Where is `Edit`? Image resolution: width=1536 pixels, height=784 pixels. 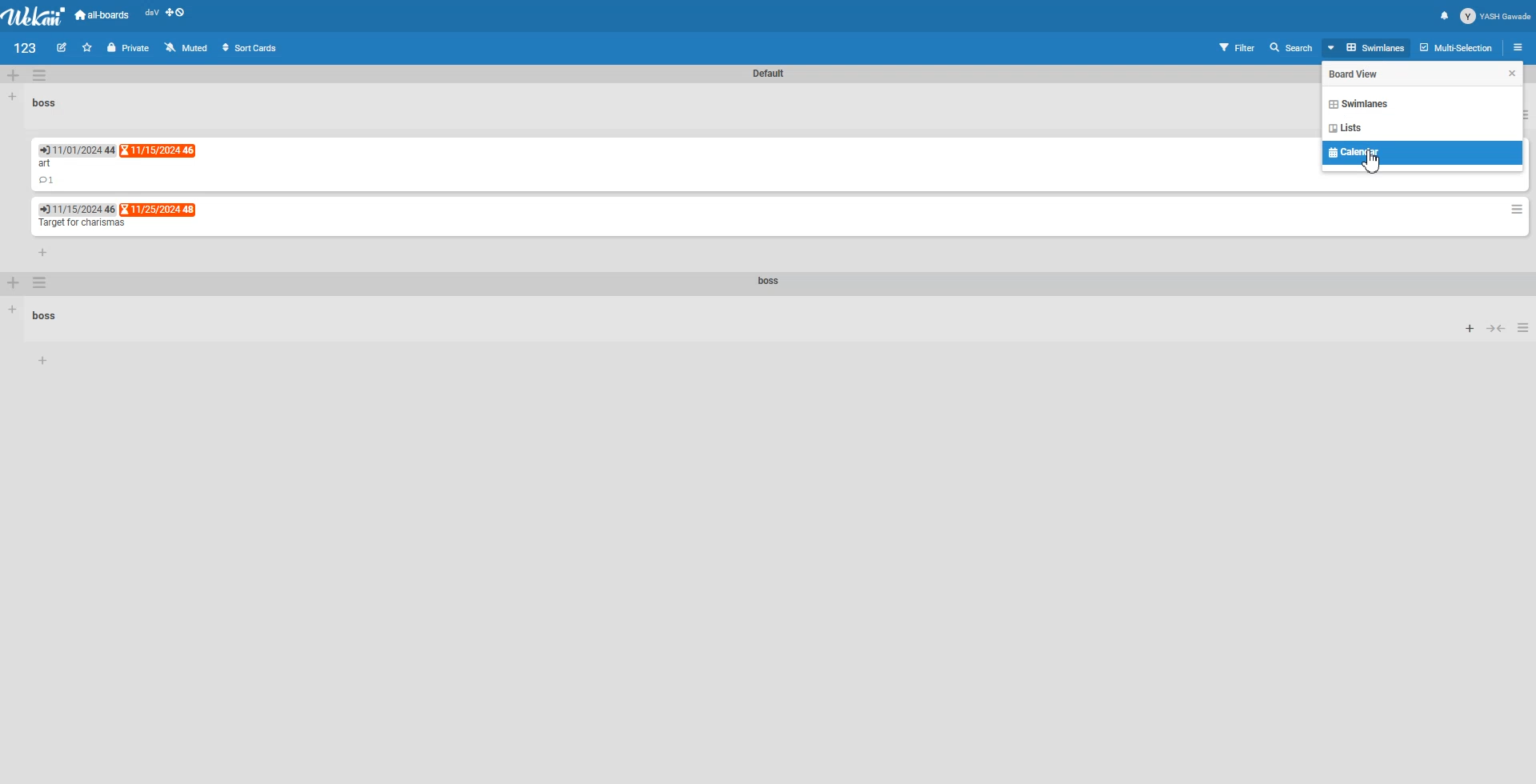
Edit is located at coordinates (63, 47).